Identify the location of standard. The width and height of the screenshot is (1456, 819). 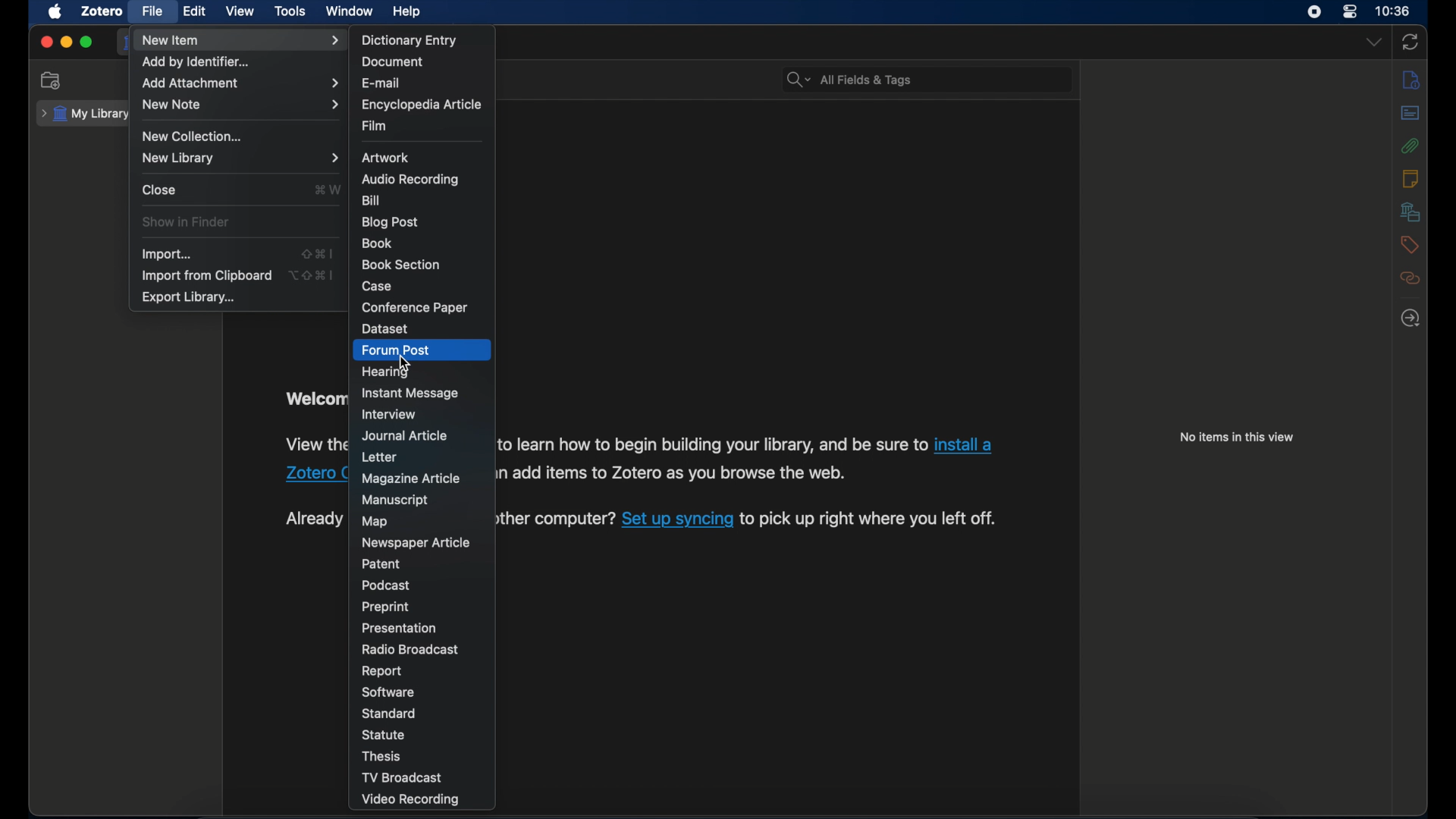
(388, 714).